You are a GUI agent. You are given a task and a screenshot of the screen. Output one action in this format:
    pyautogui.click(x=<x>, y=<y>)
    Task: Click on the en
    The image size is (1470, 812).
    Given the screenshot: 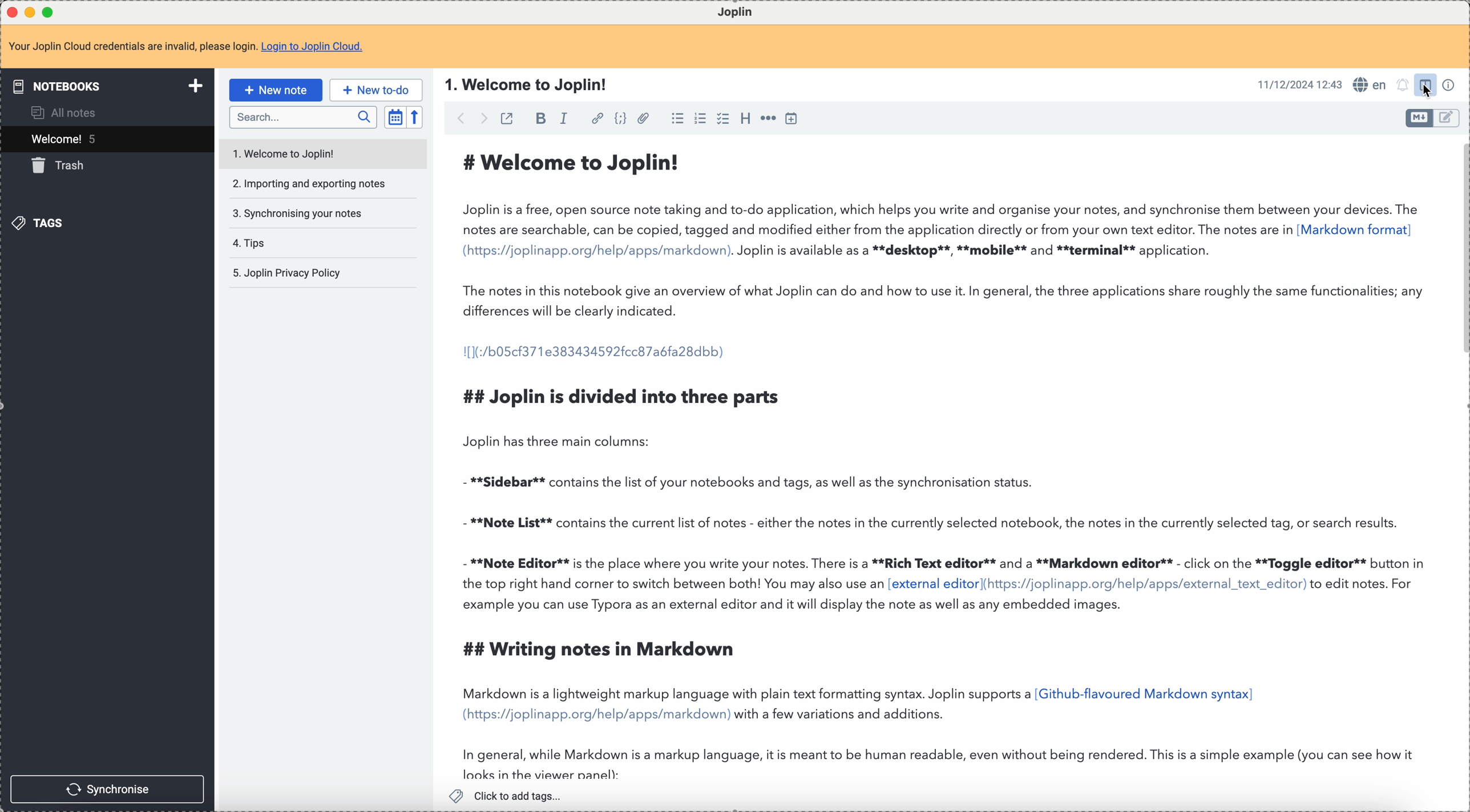 What is the action you would take?
    pyautogui.click(x=1368, y=83)
    